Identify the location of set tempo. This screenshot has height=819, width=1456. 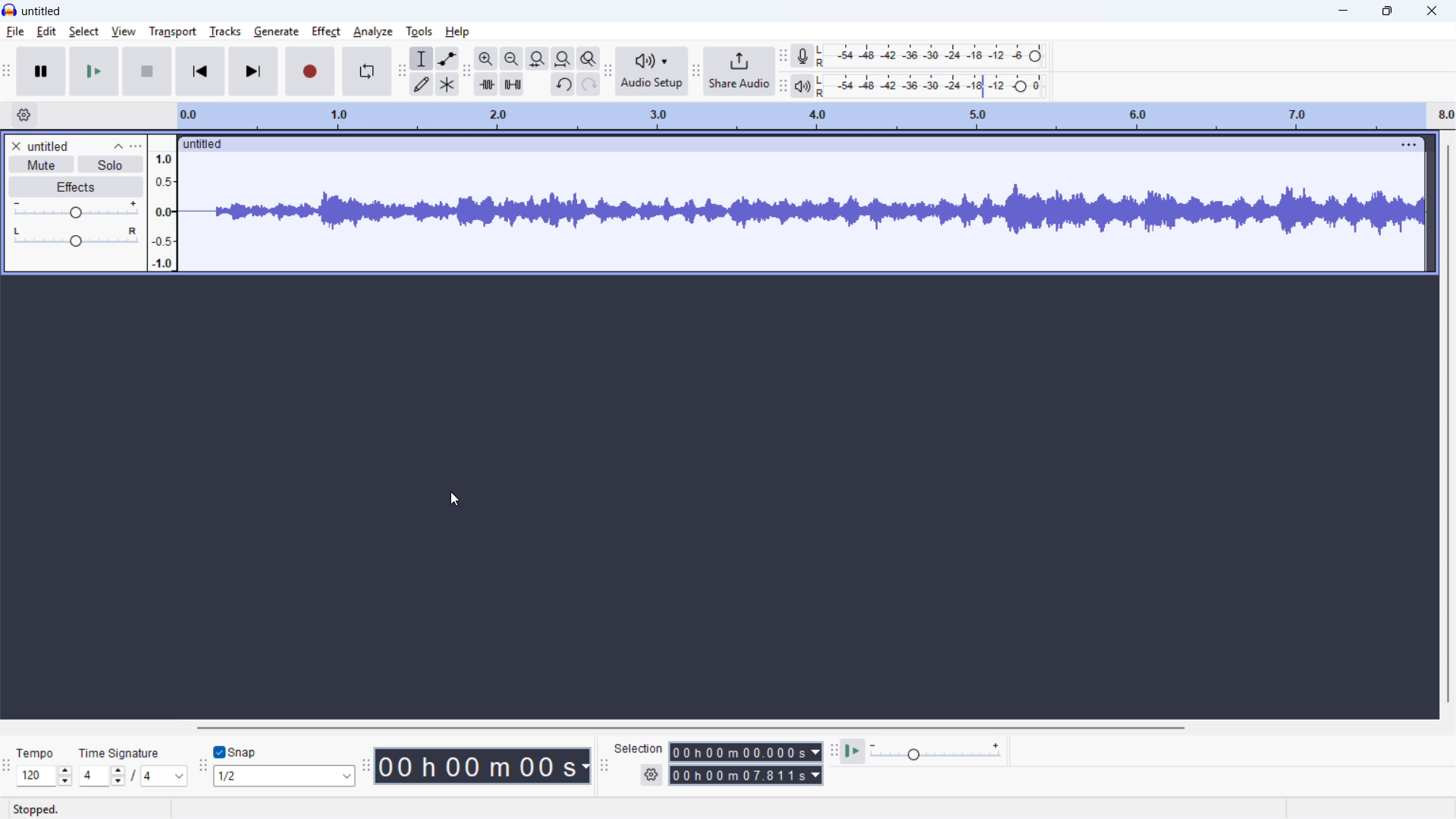
(44, 776).